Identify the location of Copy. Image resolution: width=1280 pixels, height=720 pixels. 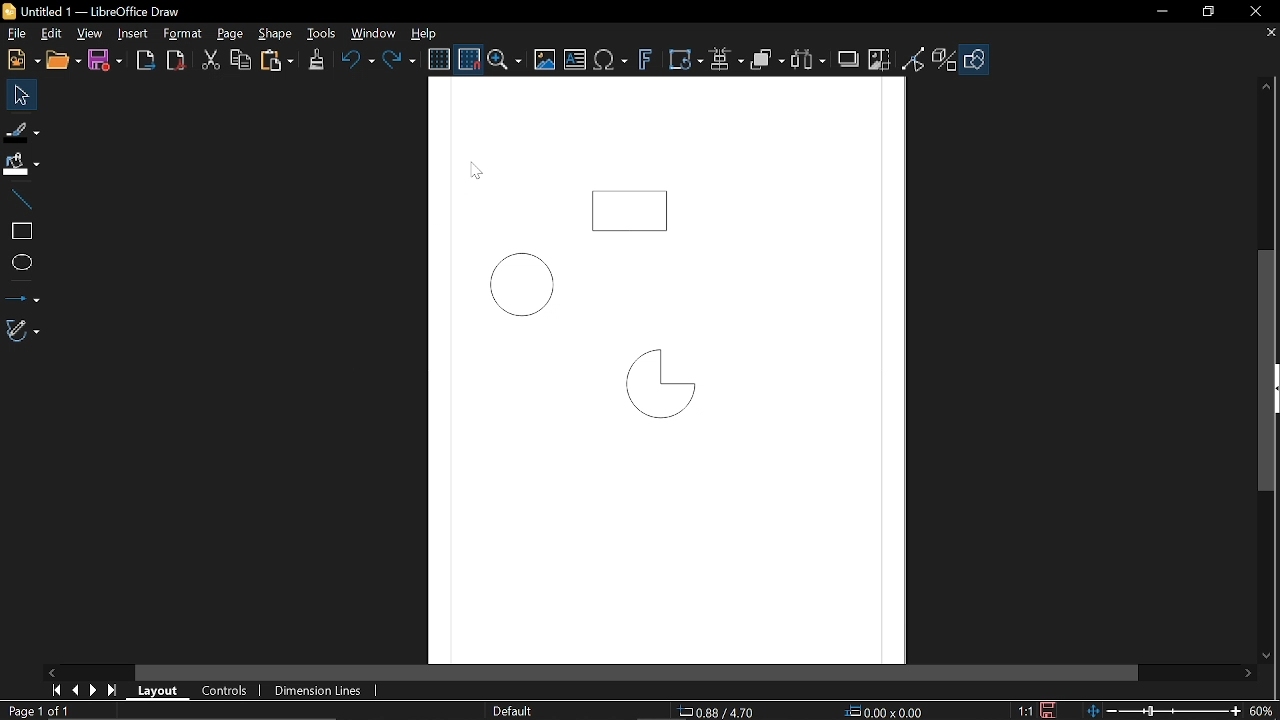
(241, 60).